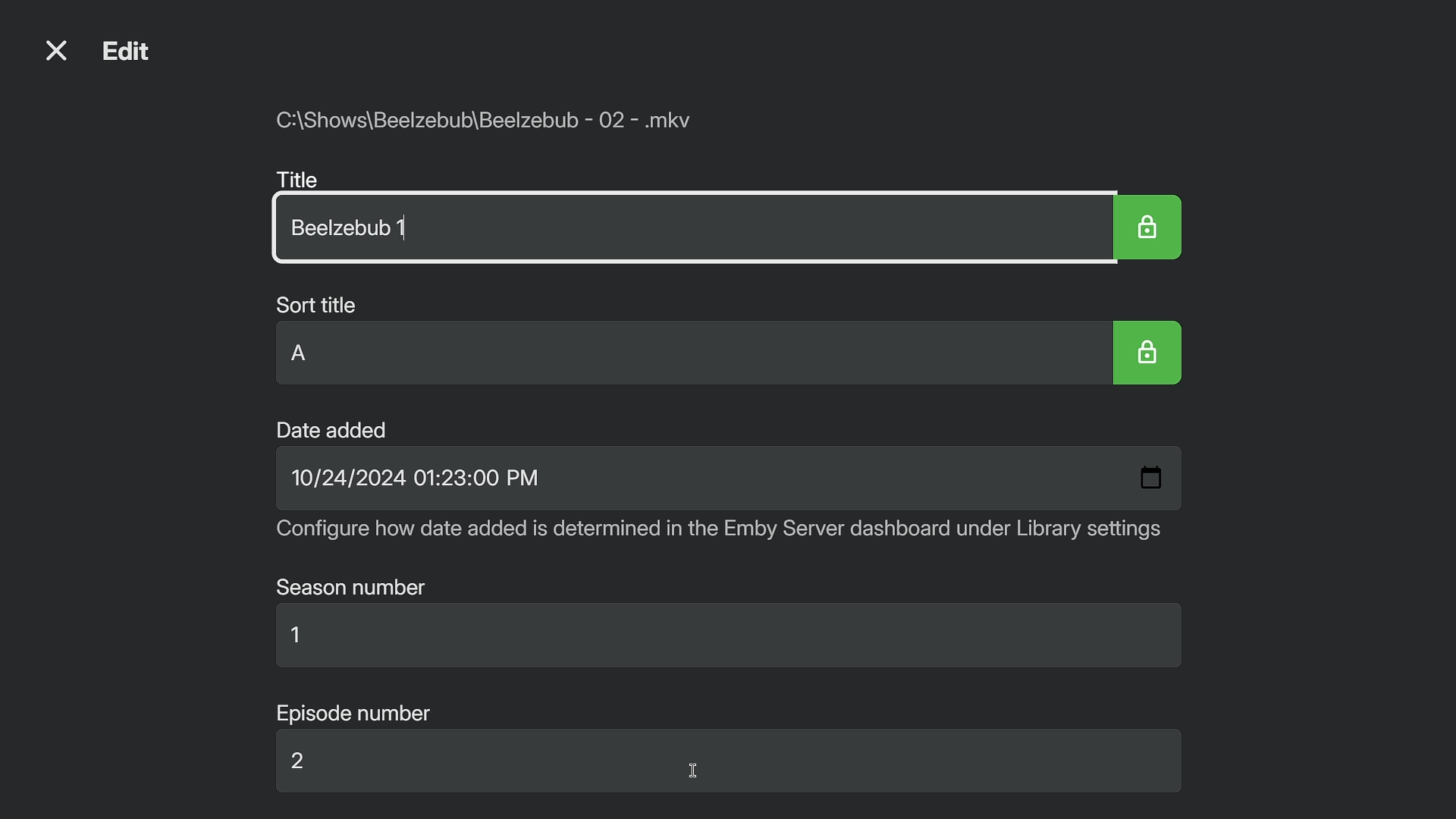 The image size is (1456, 819). What do you see at coordinates (695, 772) in the screenshot?
I see `Cursor` at bounding box center [695, 772].